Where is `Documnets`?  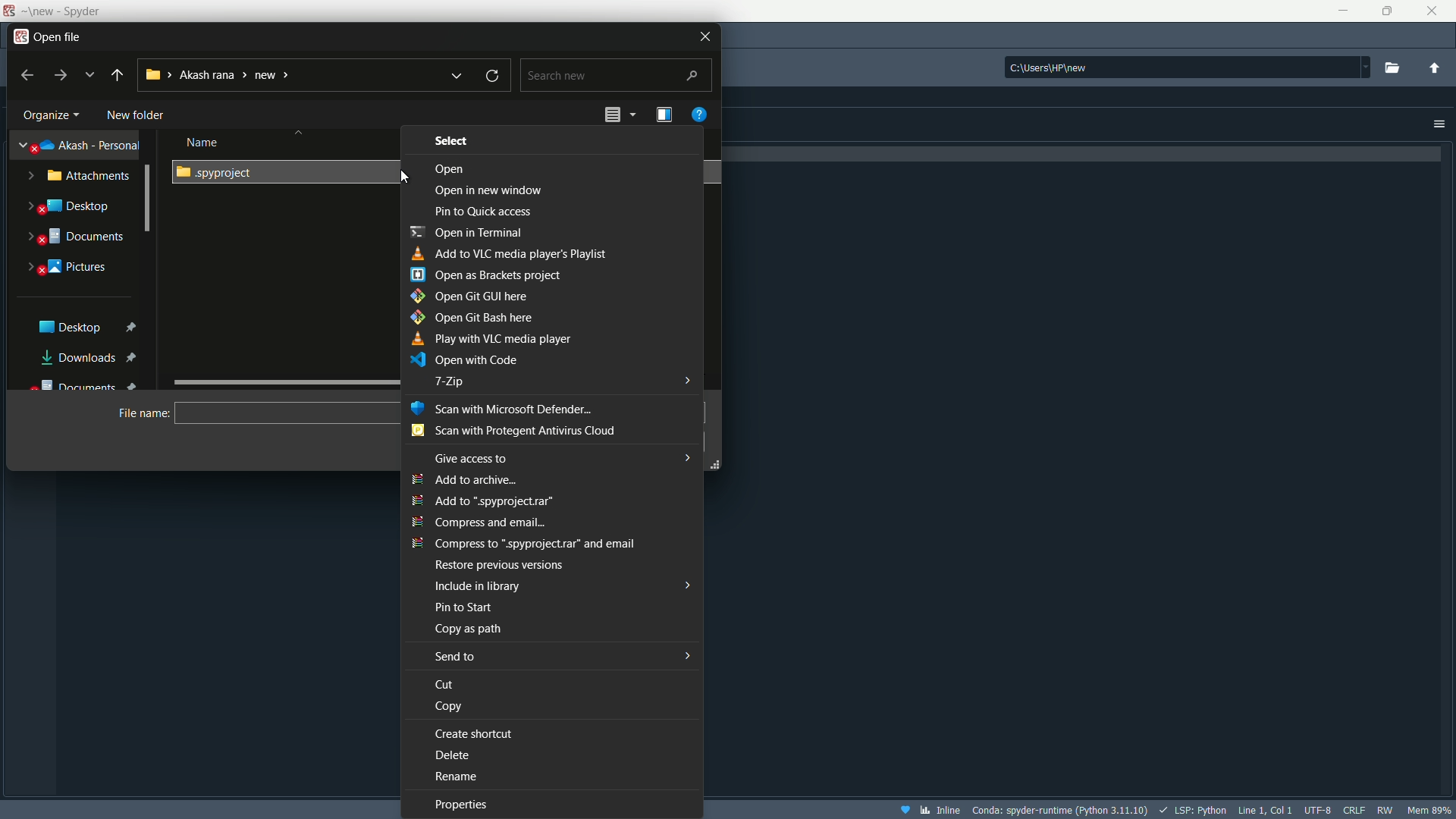 Documnets is located at coordinates (77, 235).